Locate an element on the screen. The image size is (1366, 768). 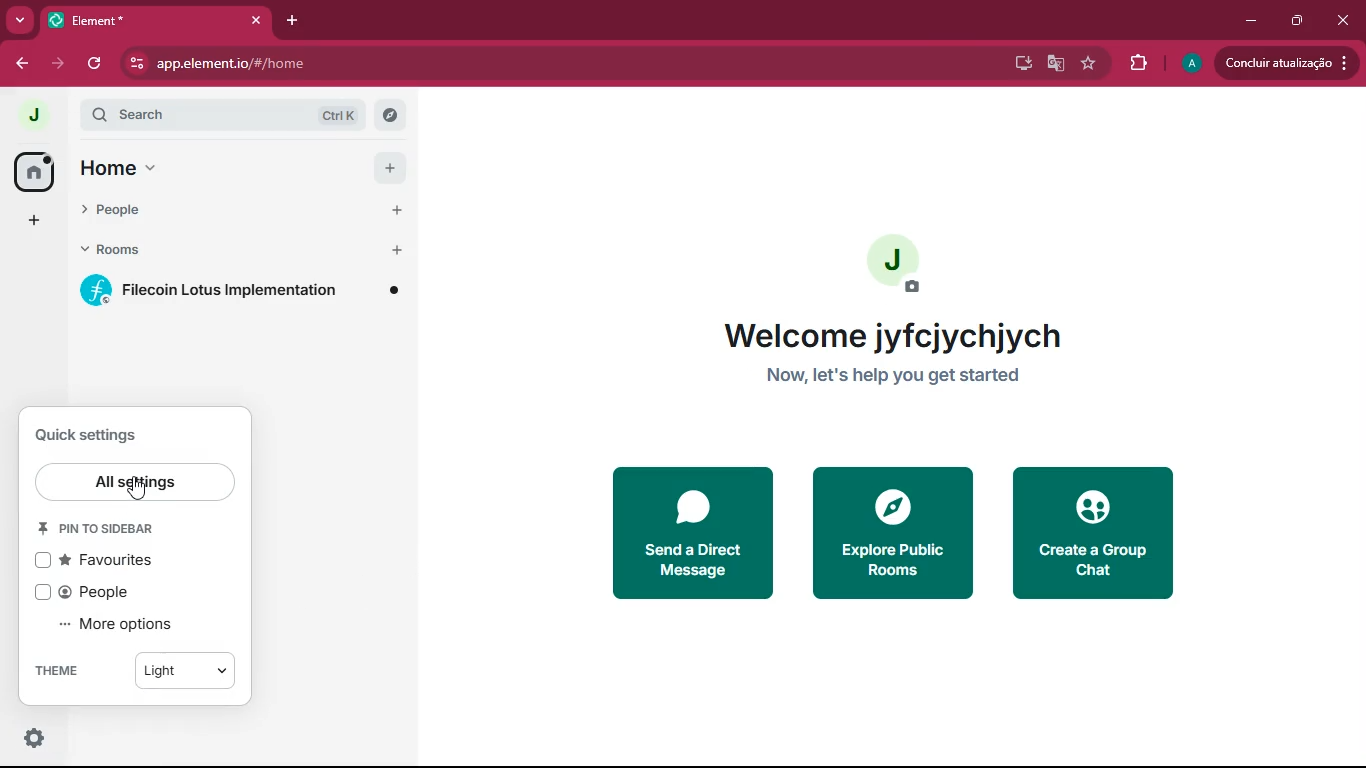
add profile picture is located at coordinates (903, 264).